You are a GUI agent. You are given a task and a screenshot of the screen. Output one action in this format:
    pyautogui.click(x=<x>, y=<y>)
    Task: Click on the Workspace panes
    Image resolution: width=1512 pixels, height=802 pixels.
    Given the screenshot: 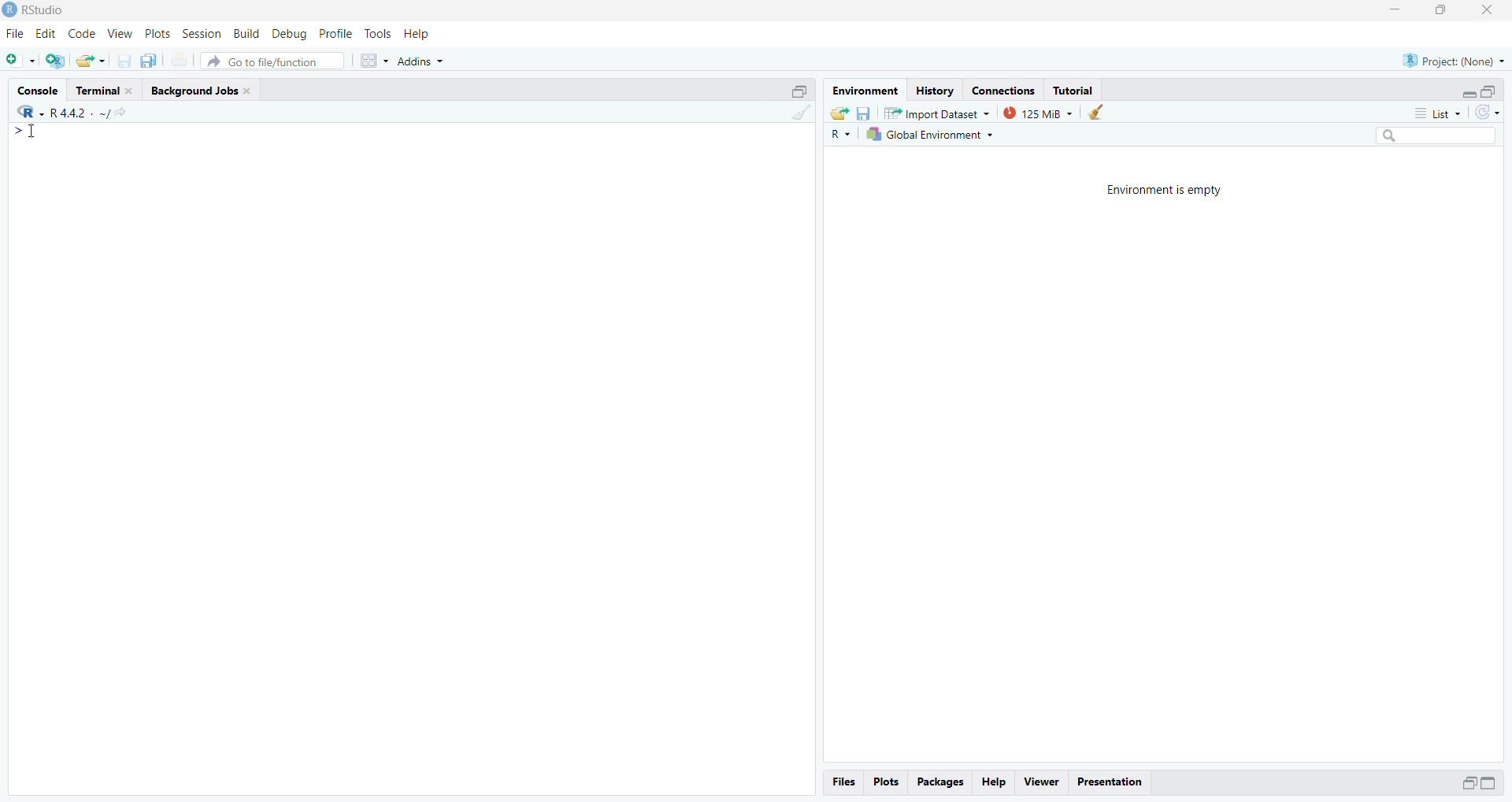 What is the action you would take?
    pyautogui.click(x=374, y=61)
    